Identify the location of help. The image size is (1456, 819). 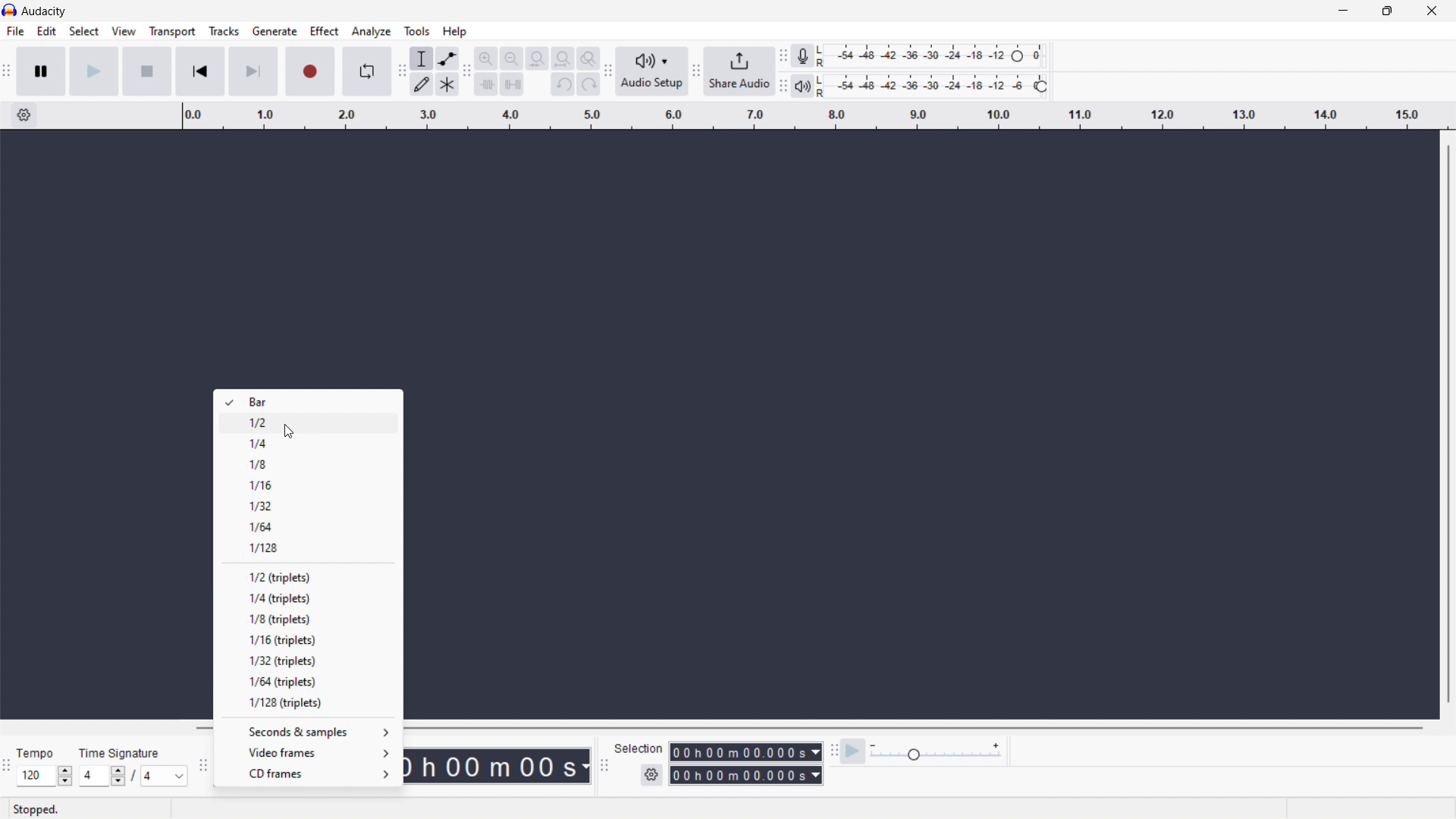
(455, 32).